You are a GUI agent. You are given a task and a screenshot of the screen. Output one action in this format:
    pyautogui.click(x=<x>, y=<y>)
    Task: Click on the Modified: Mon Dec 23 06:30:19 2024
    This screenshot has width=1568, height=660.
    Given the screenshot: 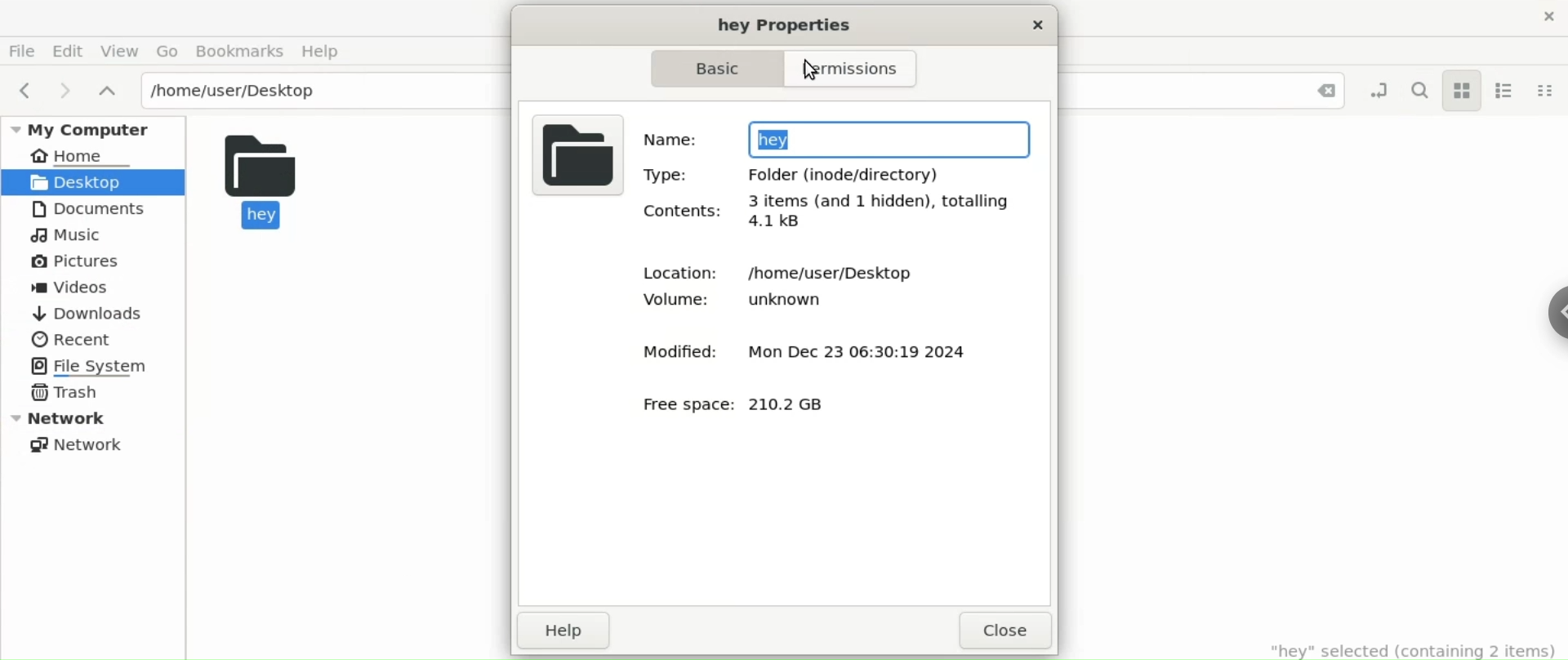 What is the action you would take?
    pyautogui.click(x=786, y=350)
    